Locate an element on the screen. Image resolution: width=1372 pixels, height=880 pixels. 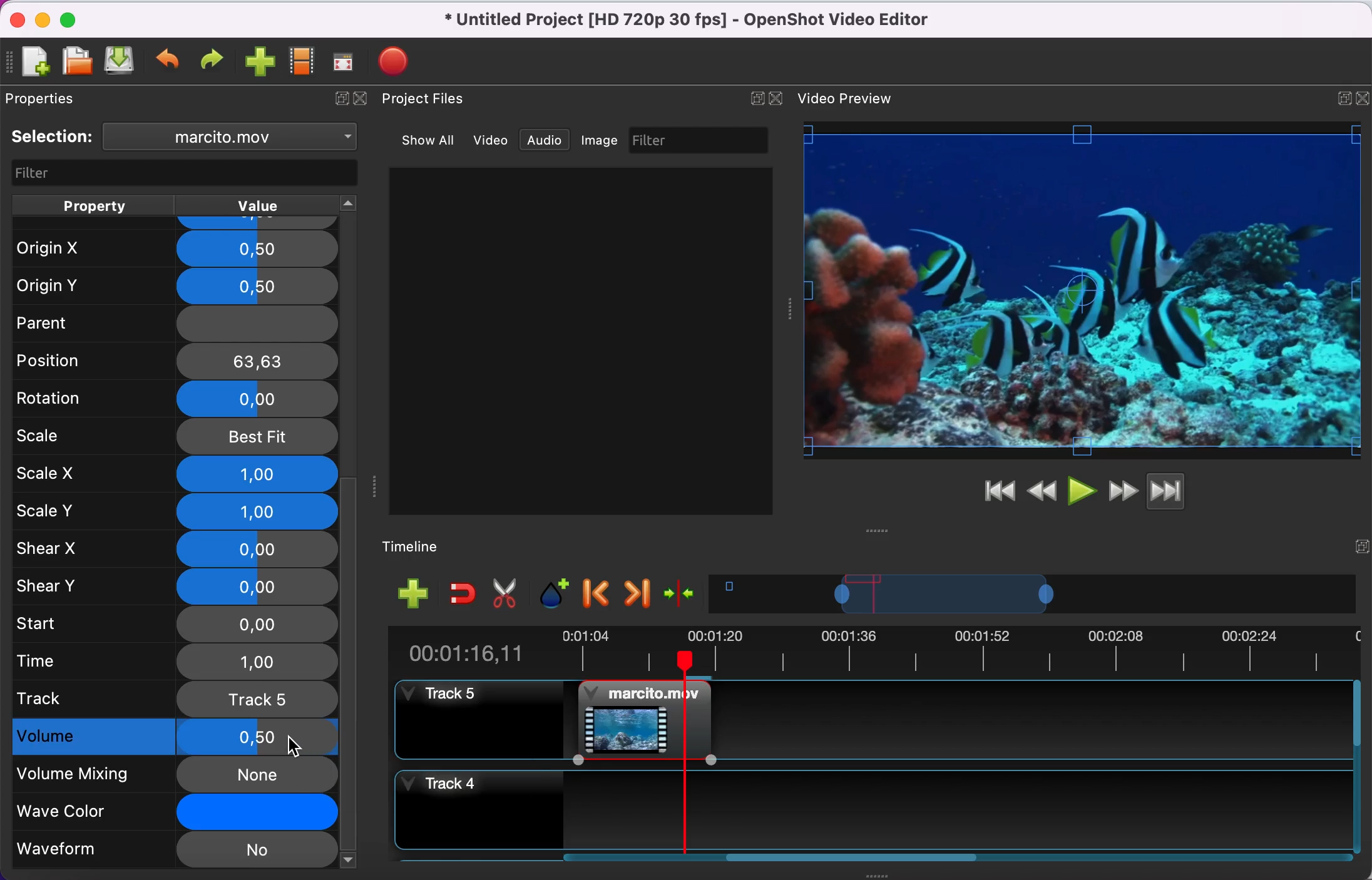
jump to start is located at coordinates (999, 492).